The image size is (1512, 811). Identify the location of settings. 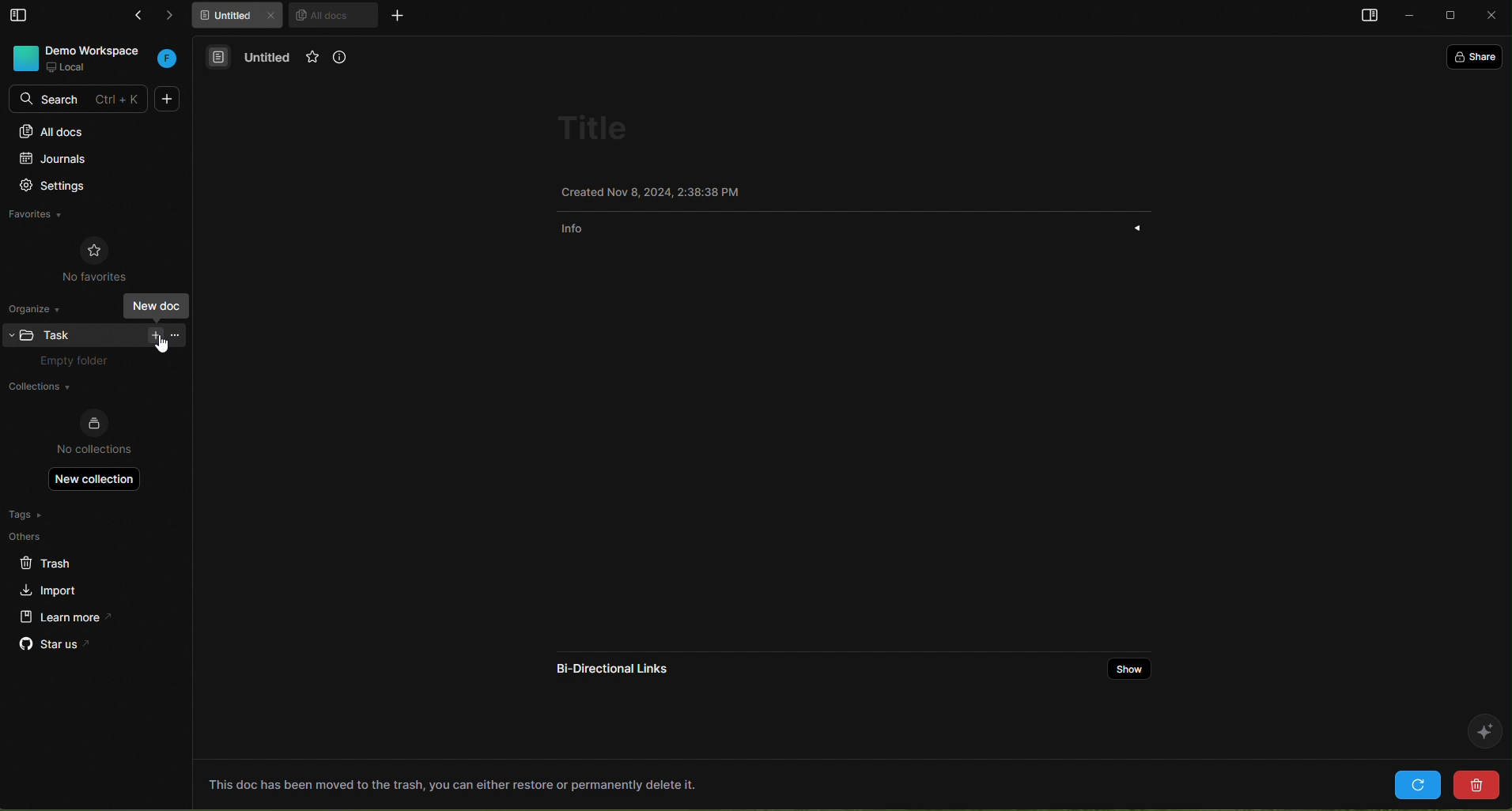
(86, 187).